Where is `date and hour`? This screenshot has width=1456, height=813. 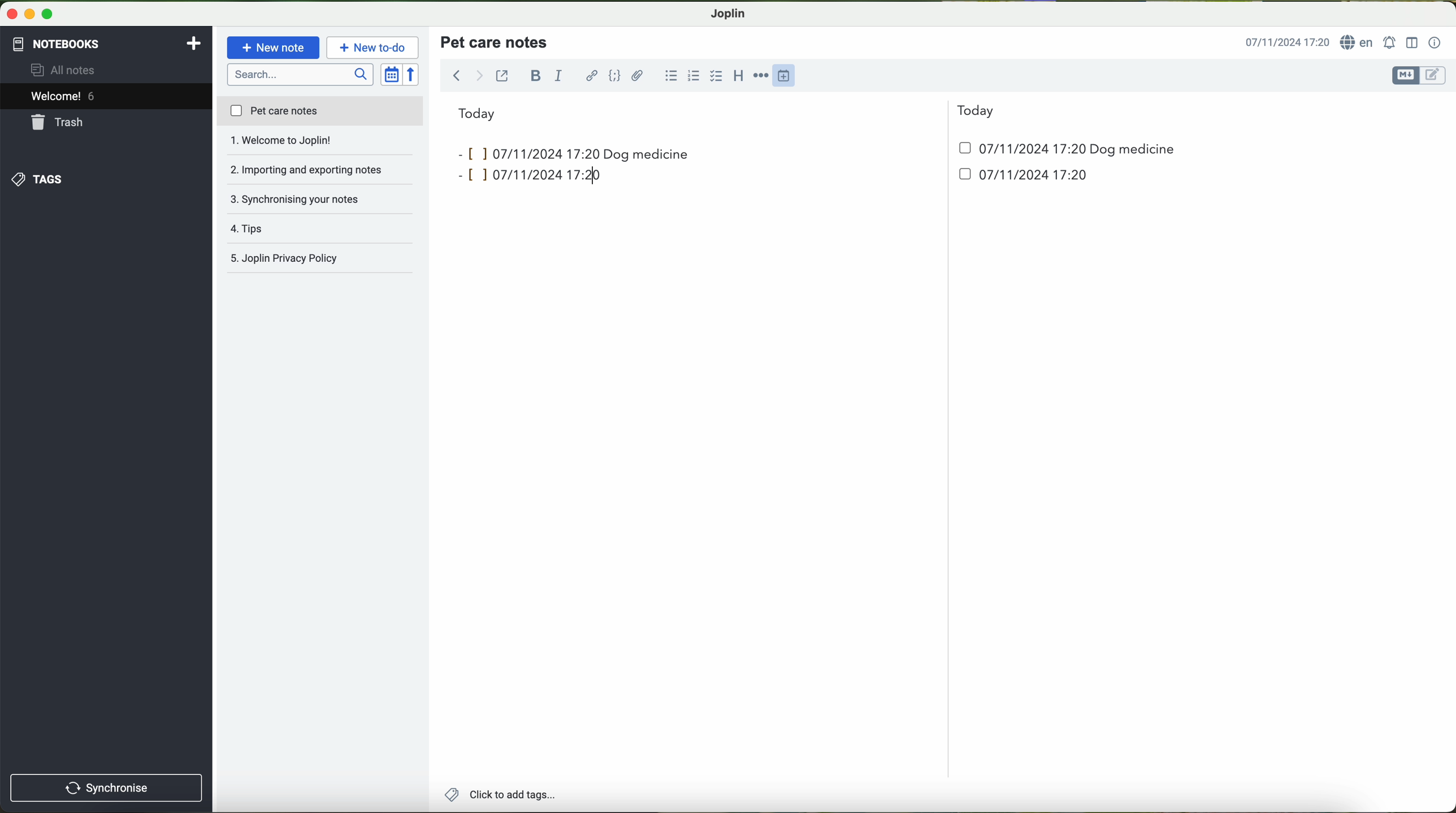
date and hour is located at coordinates (1013, 153).